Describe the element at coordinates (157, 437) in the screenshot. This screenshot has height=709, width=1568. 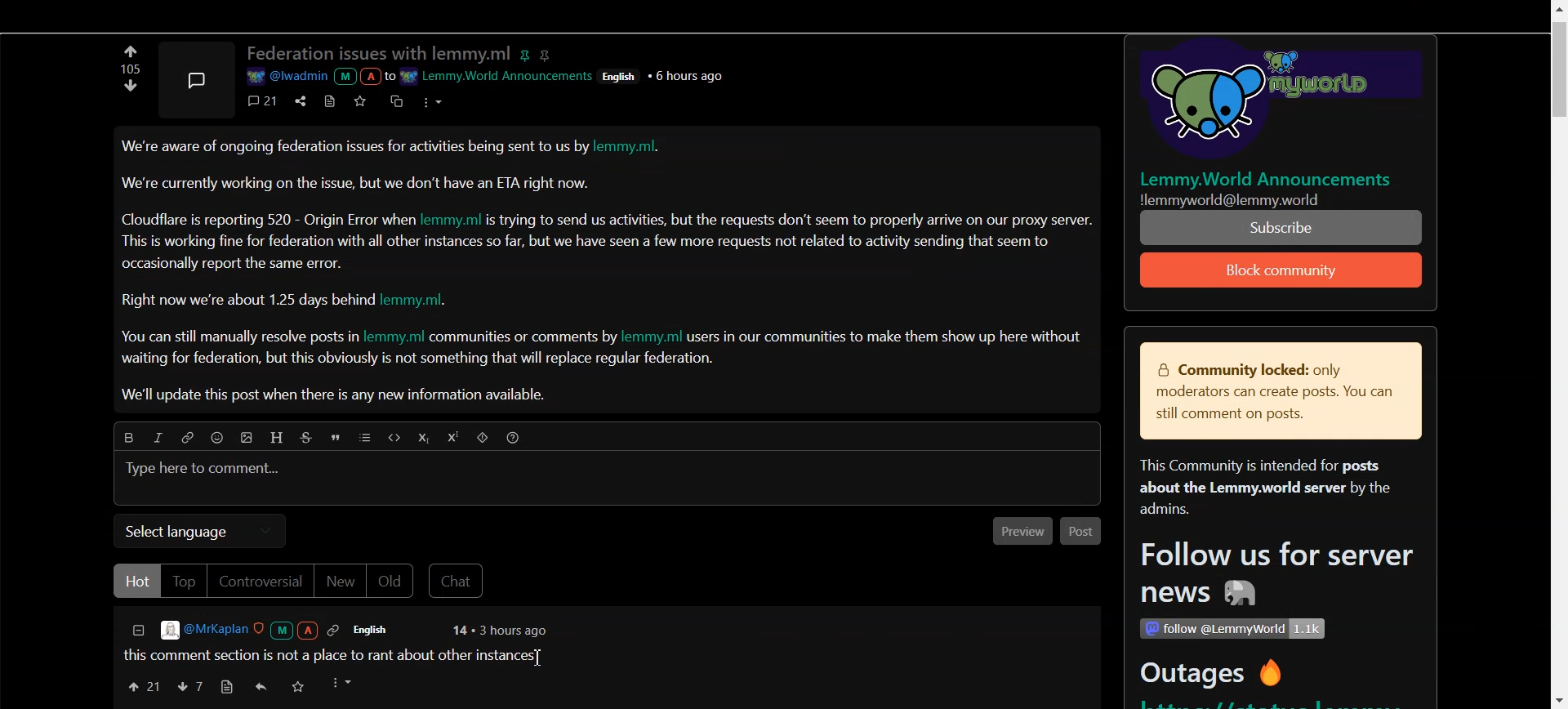
I see `Italic` at that location.